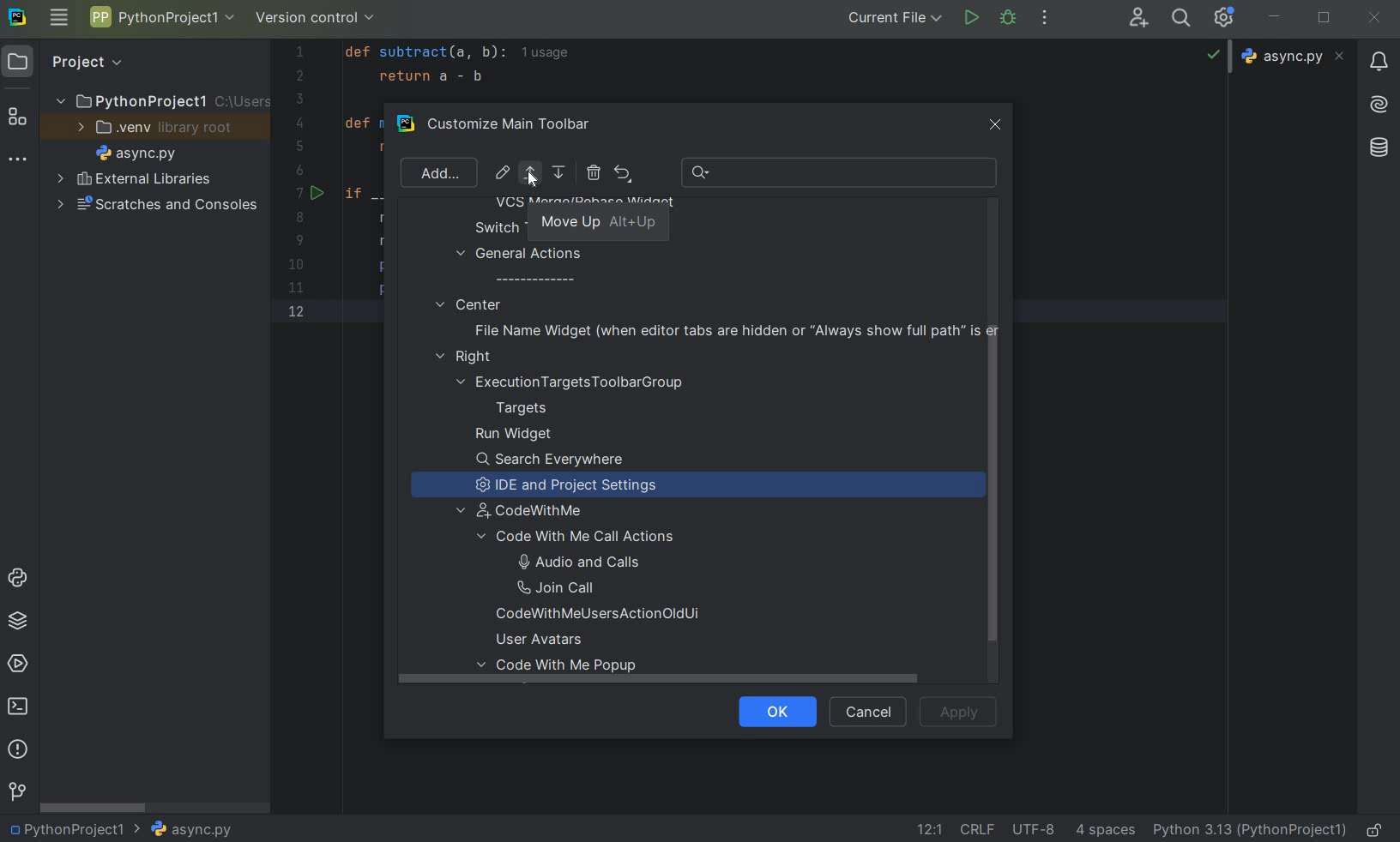  I want to click on FILE NAME, so click(190, 830).